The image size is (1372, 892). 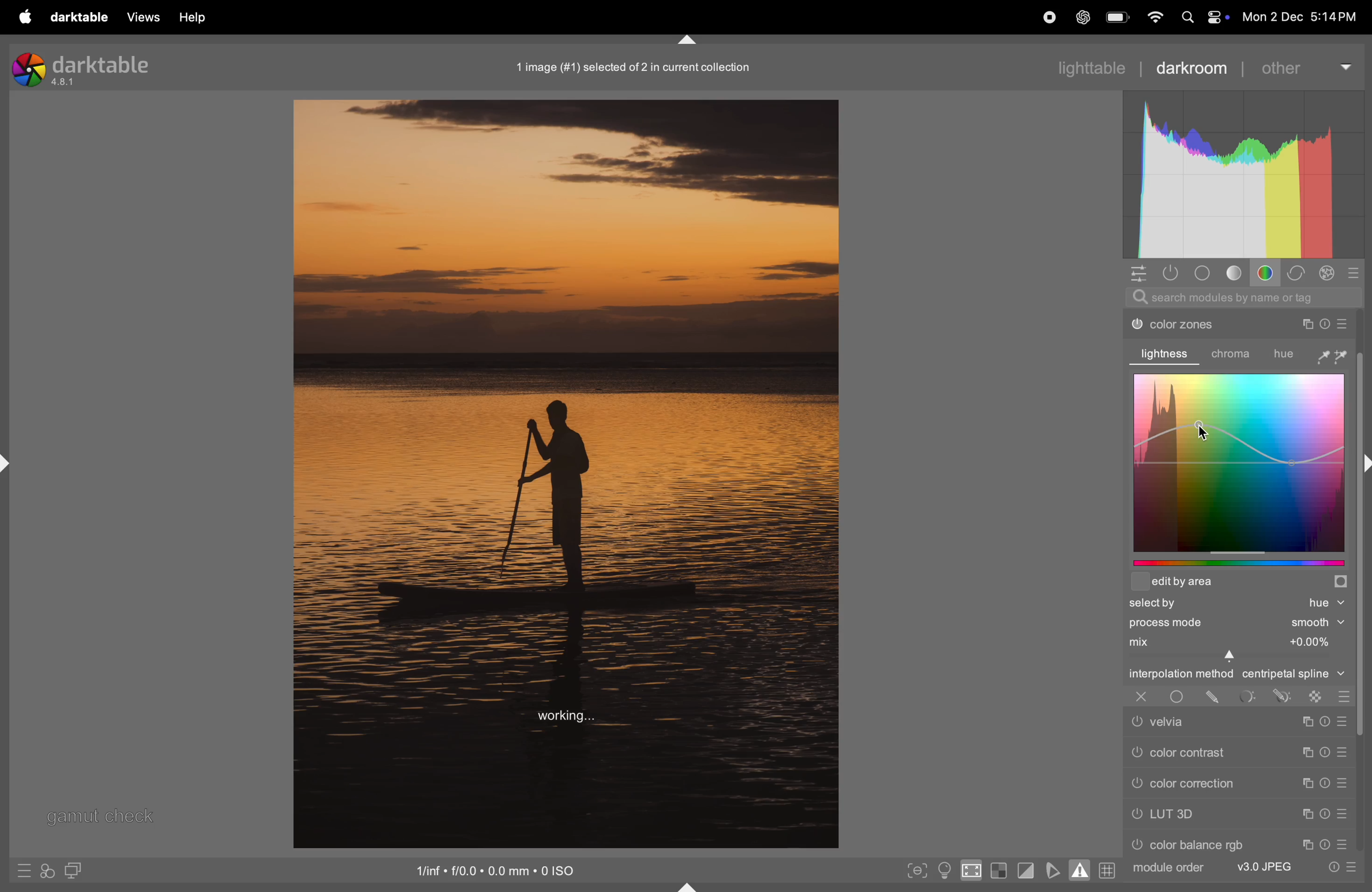 I want to click on help, so click(x=197, y=19).